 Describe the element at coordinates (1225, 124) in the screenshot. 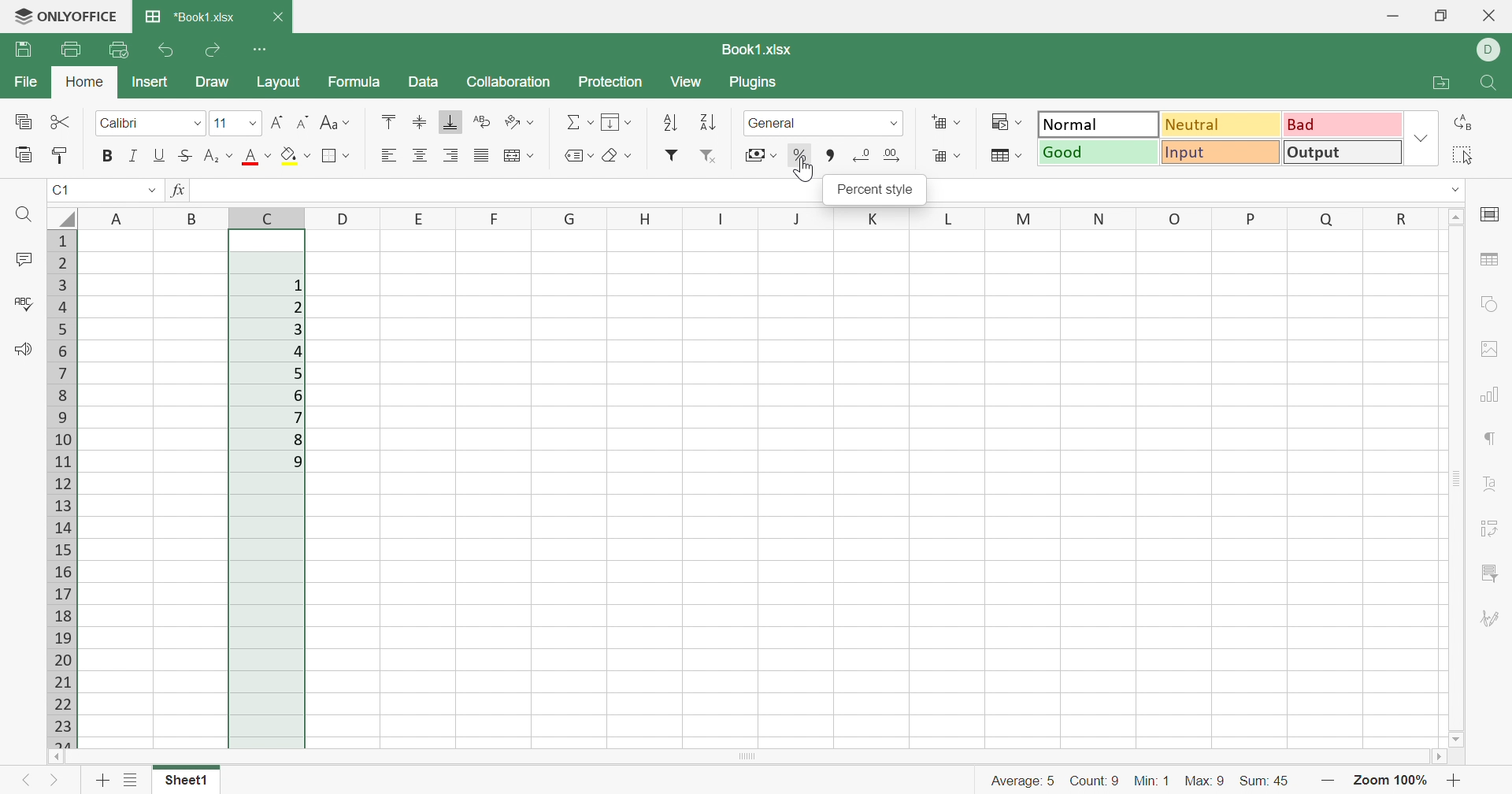

I see `Neutral` at that location.